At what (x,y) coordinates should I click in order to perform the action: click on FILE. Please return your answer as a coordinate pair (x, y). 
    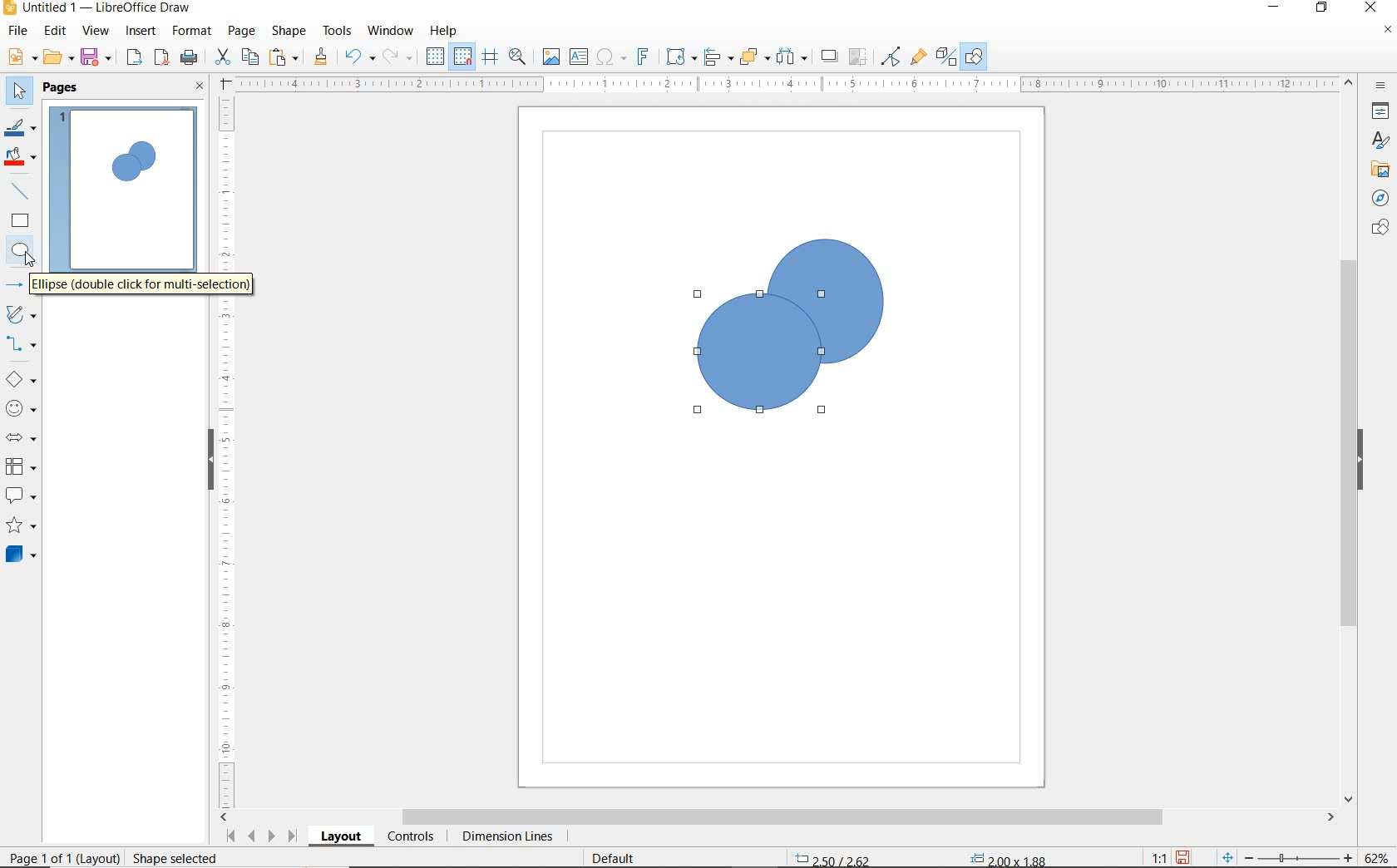
    Looking at the image, I should click on (19, 33).